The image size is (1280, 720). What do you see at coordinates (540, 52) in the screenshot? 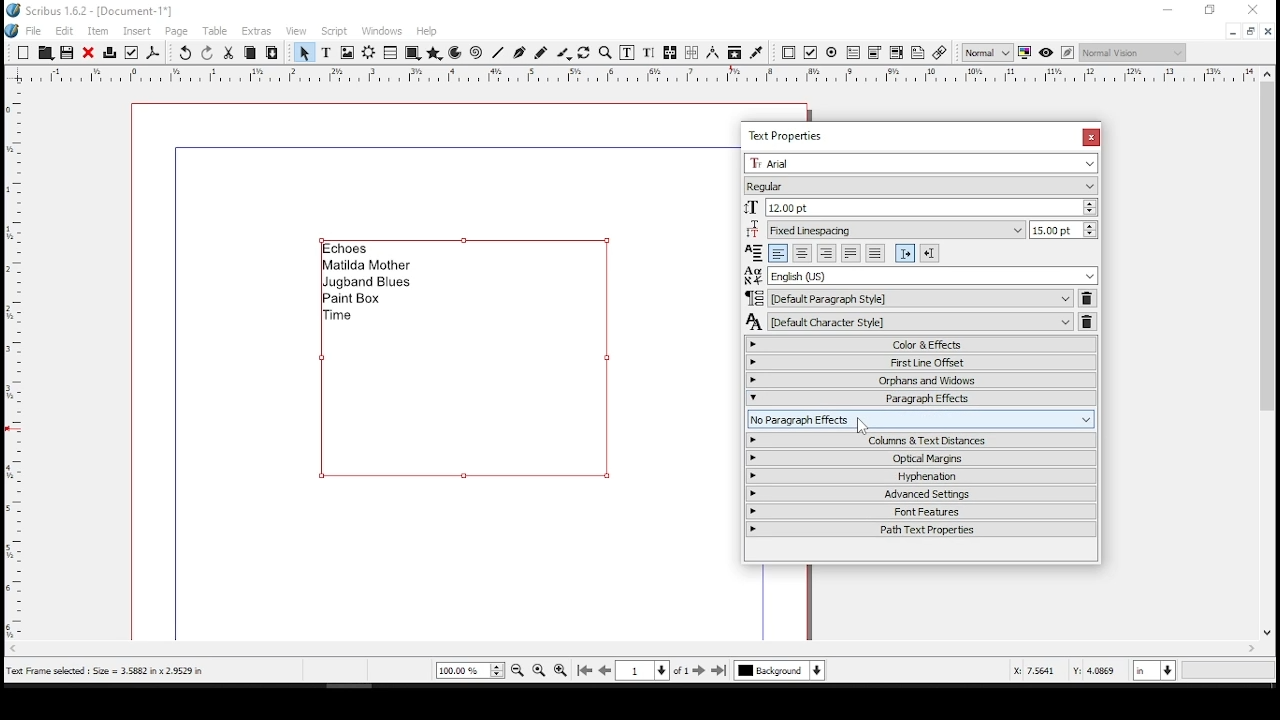
I see `freehand line` at bounding box center [540, 52].